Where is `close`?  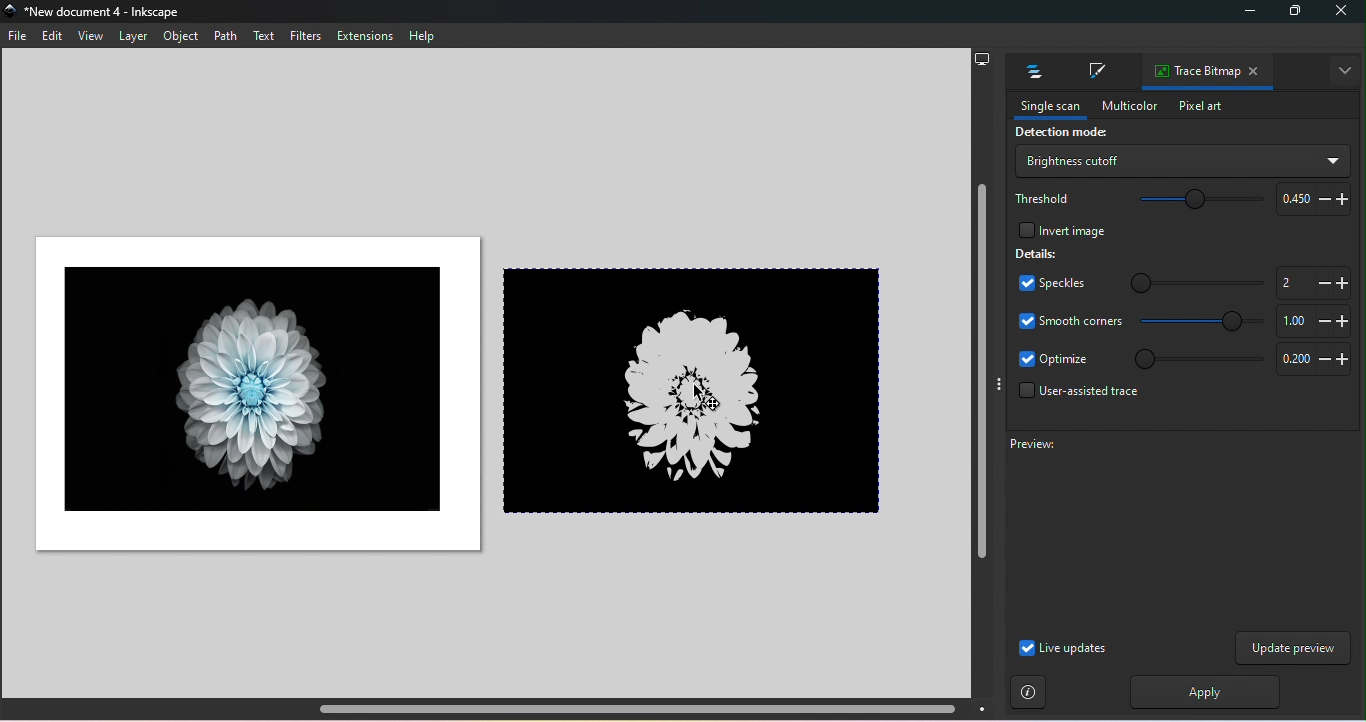
close is located at coordinates (1342, 13).